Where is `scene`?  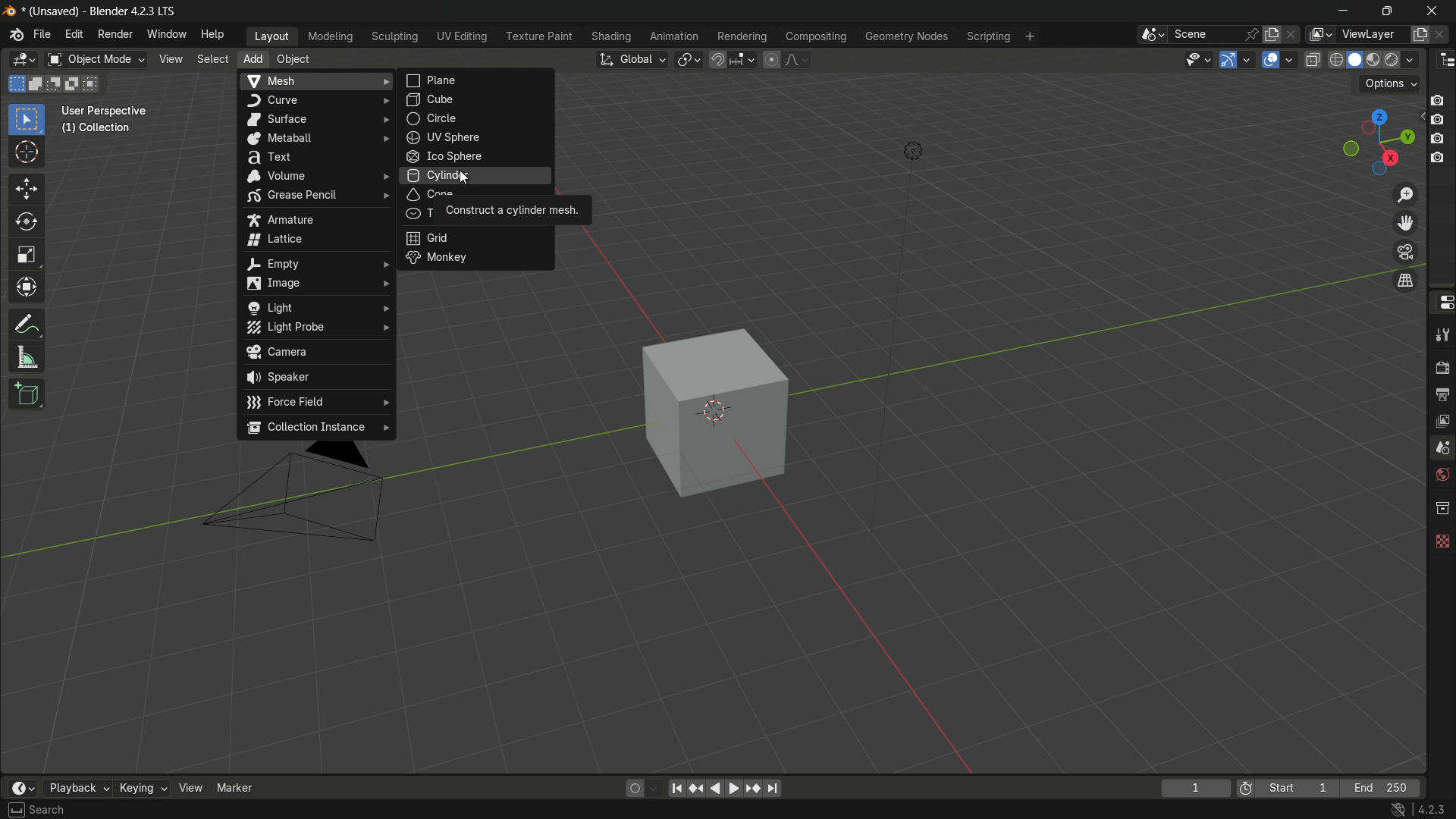
scene is located at coordinates (1441, 449).